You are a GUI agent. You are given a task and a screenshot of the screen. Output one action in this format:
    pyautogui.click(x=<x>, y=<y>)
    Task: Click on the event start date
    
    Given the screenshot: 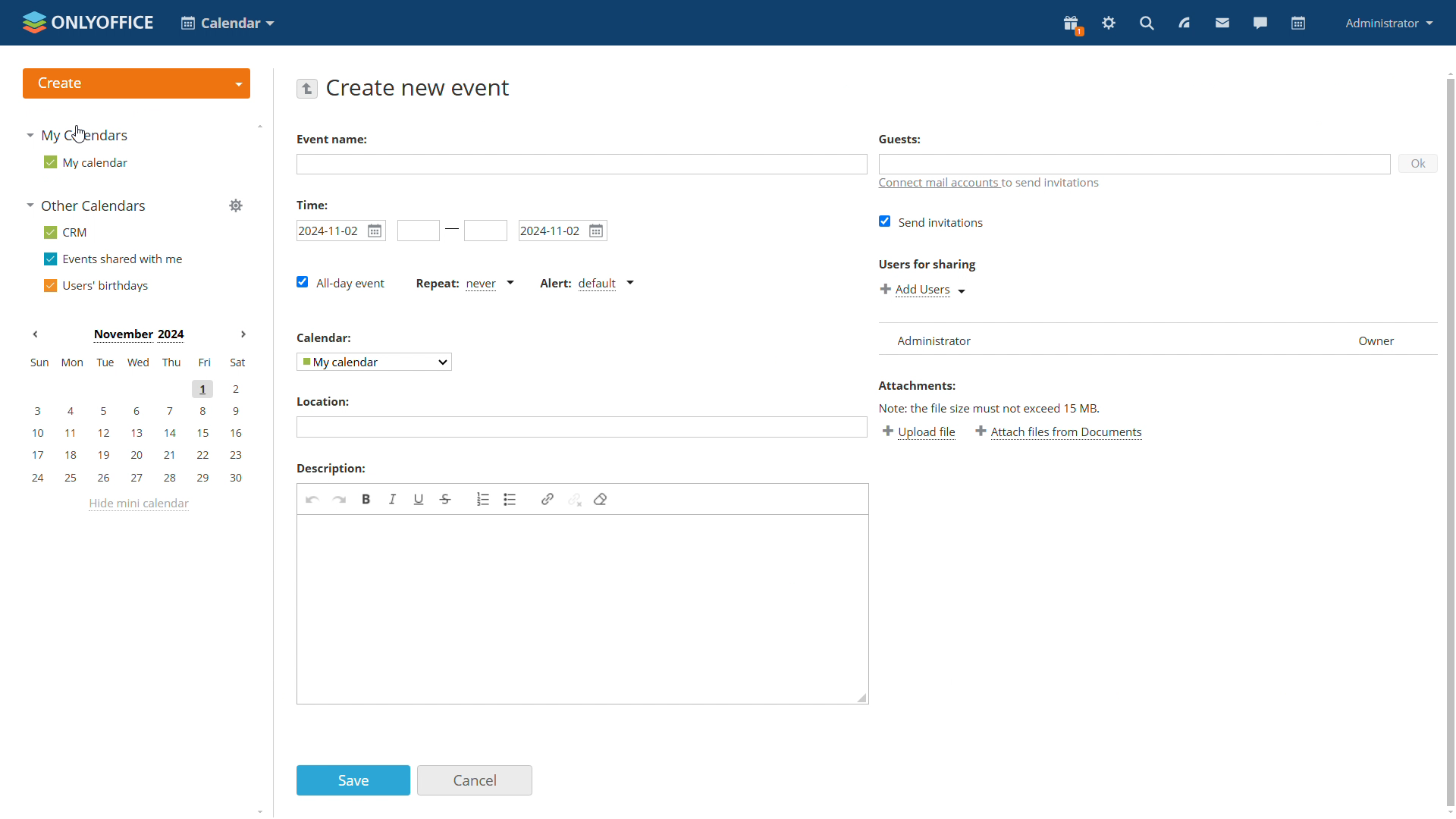 What is the action you would take?
    pyautogui.click(x=341, y=230)
    